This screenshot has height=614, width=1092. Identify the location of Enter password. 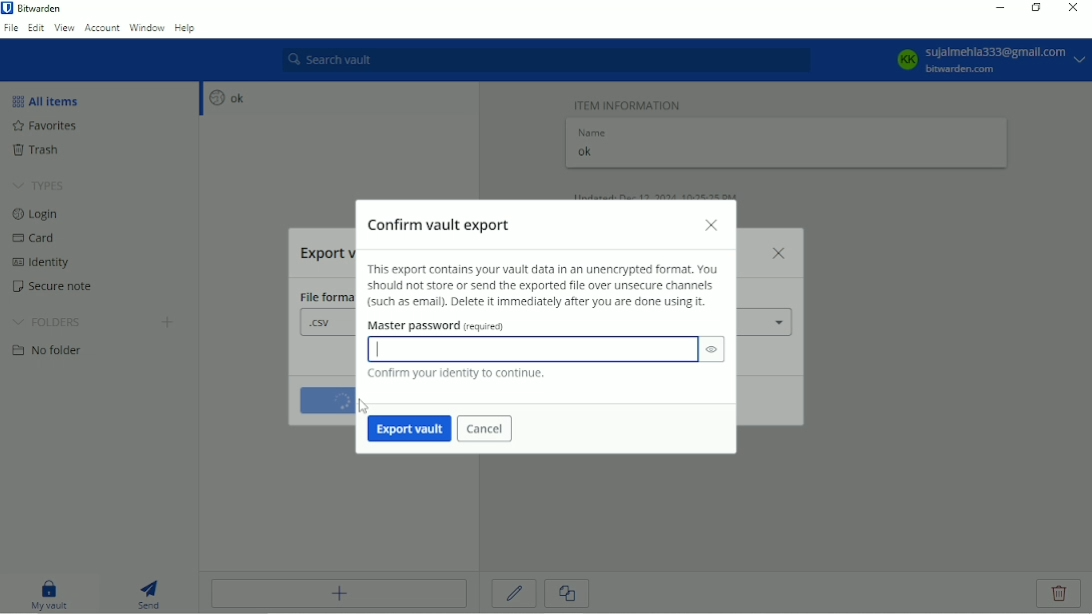
(534, 350).